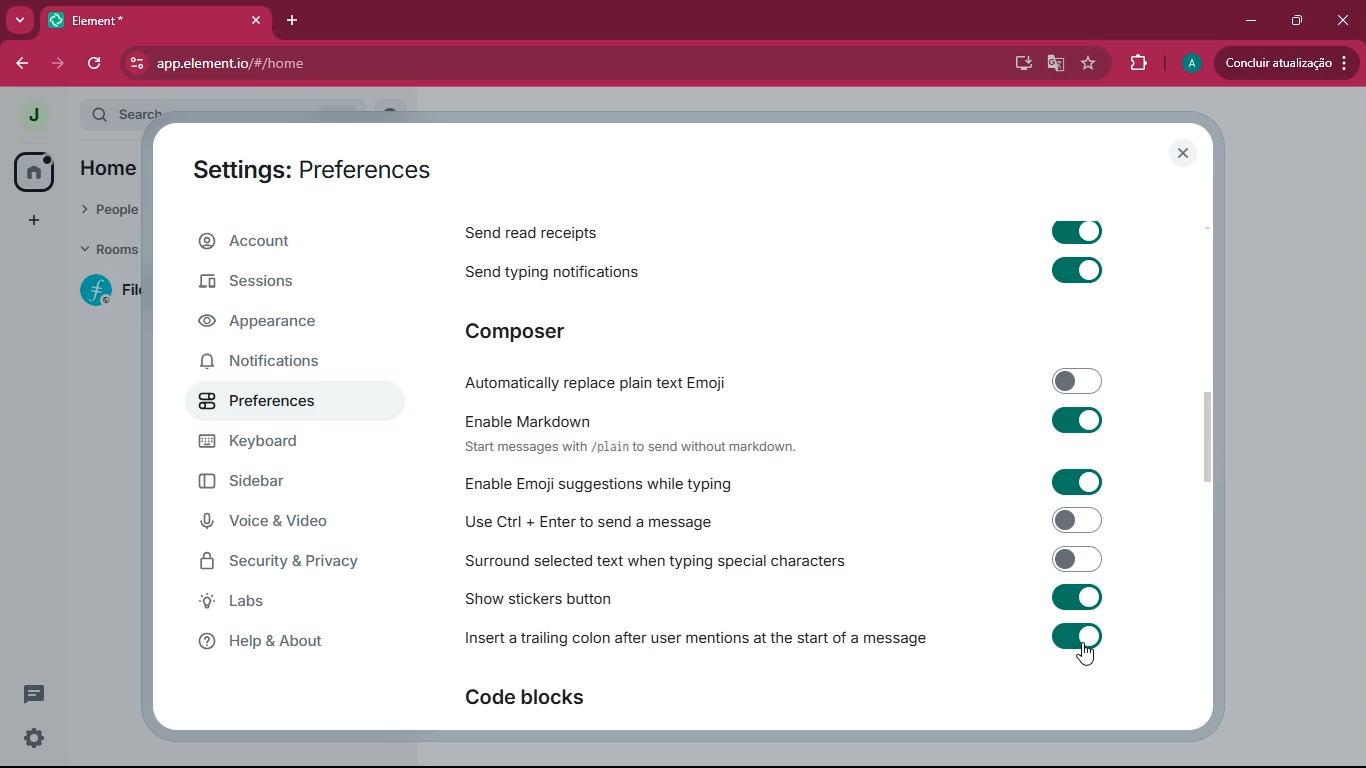 Image resolution: width=1366 pixels, height=768 pixels. Describe the element at coordinates (32, 220) in the screenshot. I see `add` at that location.